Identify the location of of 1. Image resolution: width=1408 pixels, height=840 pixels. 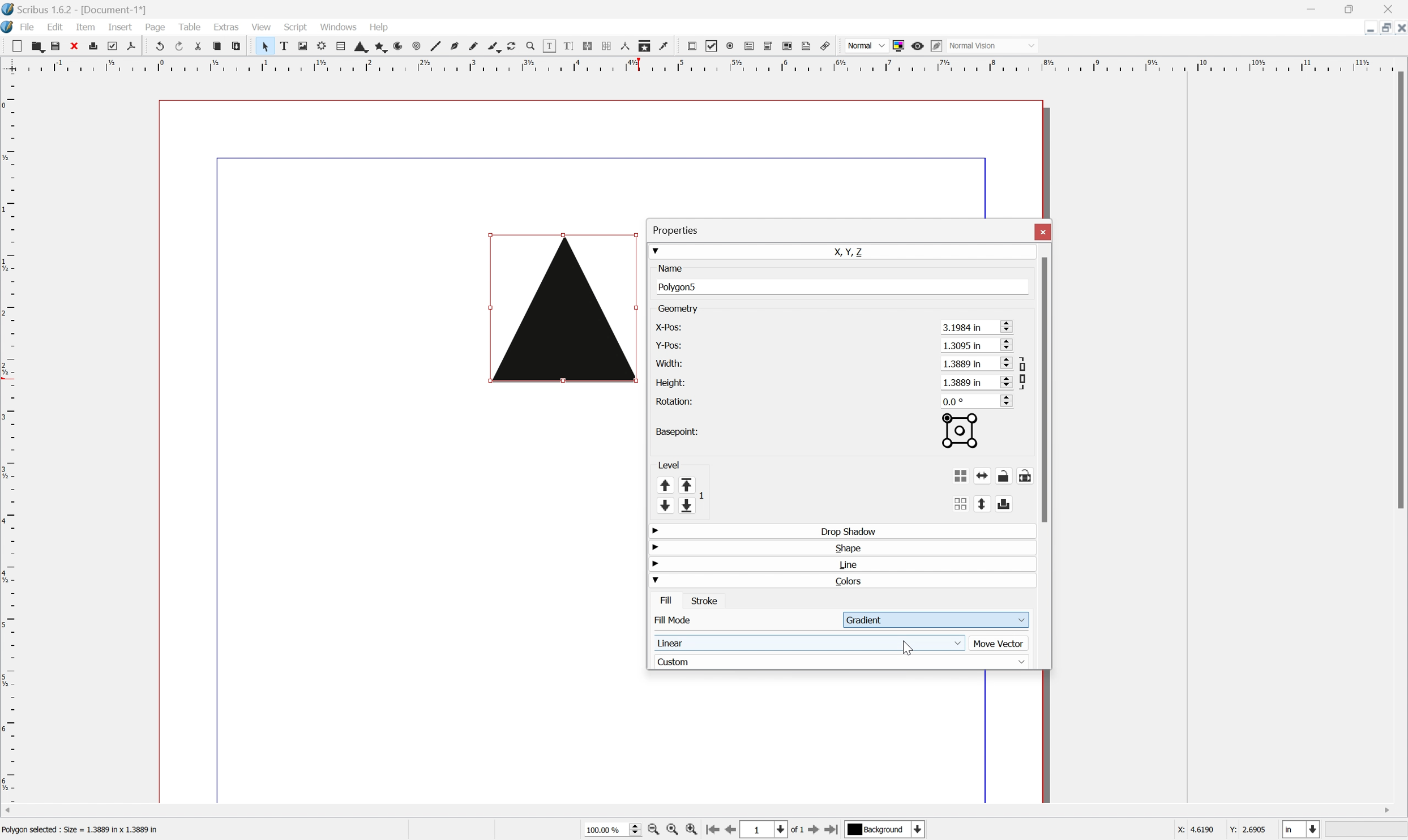
(798, 830).